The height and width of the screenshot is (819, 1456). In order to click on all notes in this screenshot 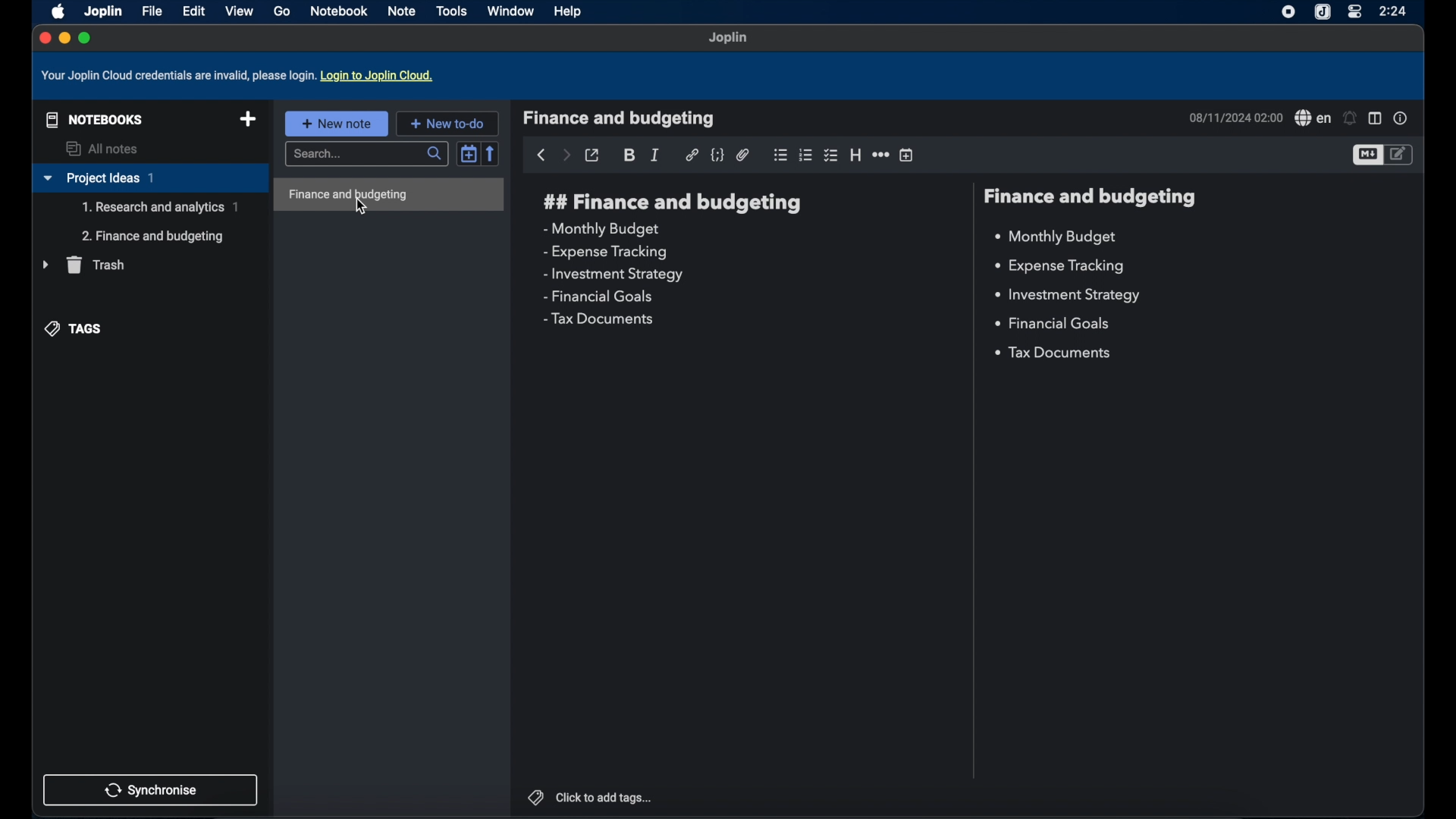, I will do `click(104, 149)`.